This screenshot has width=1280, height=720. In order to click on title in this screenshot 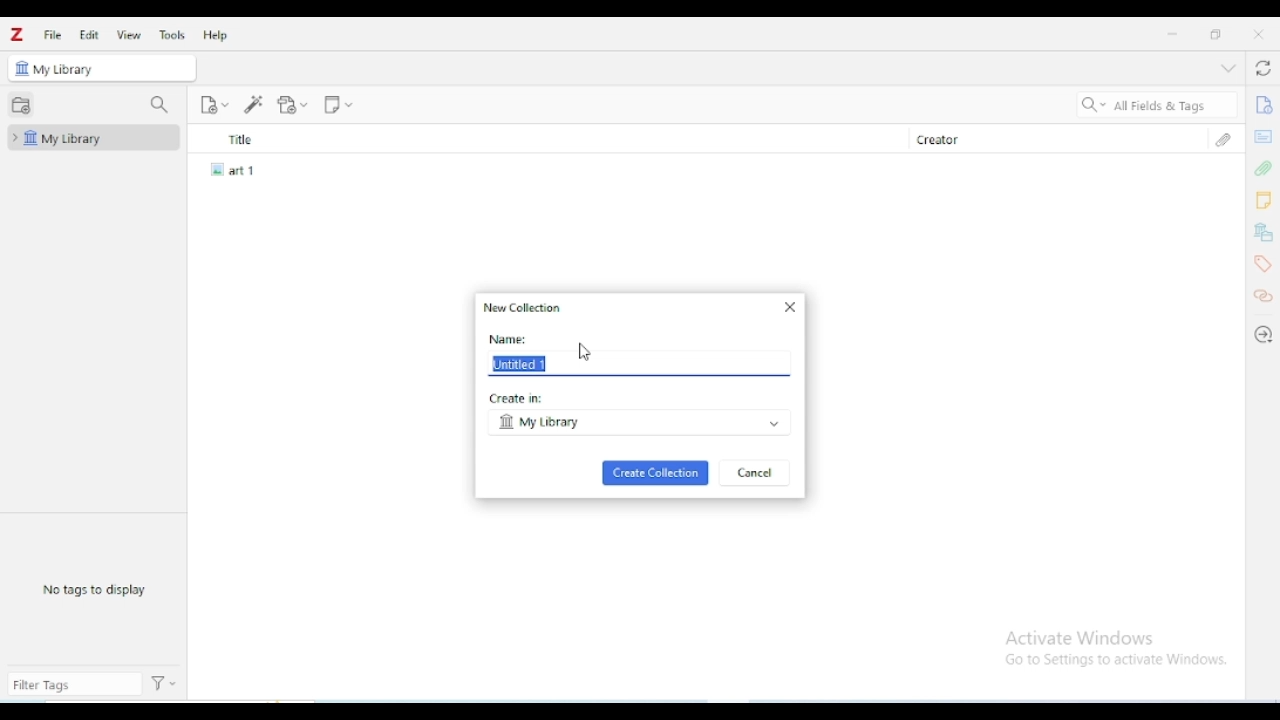, I will do `click(546, 139)`.